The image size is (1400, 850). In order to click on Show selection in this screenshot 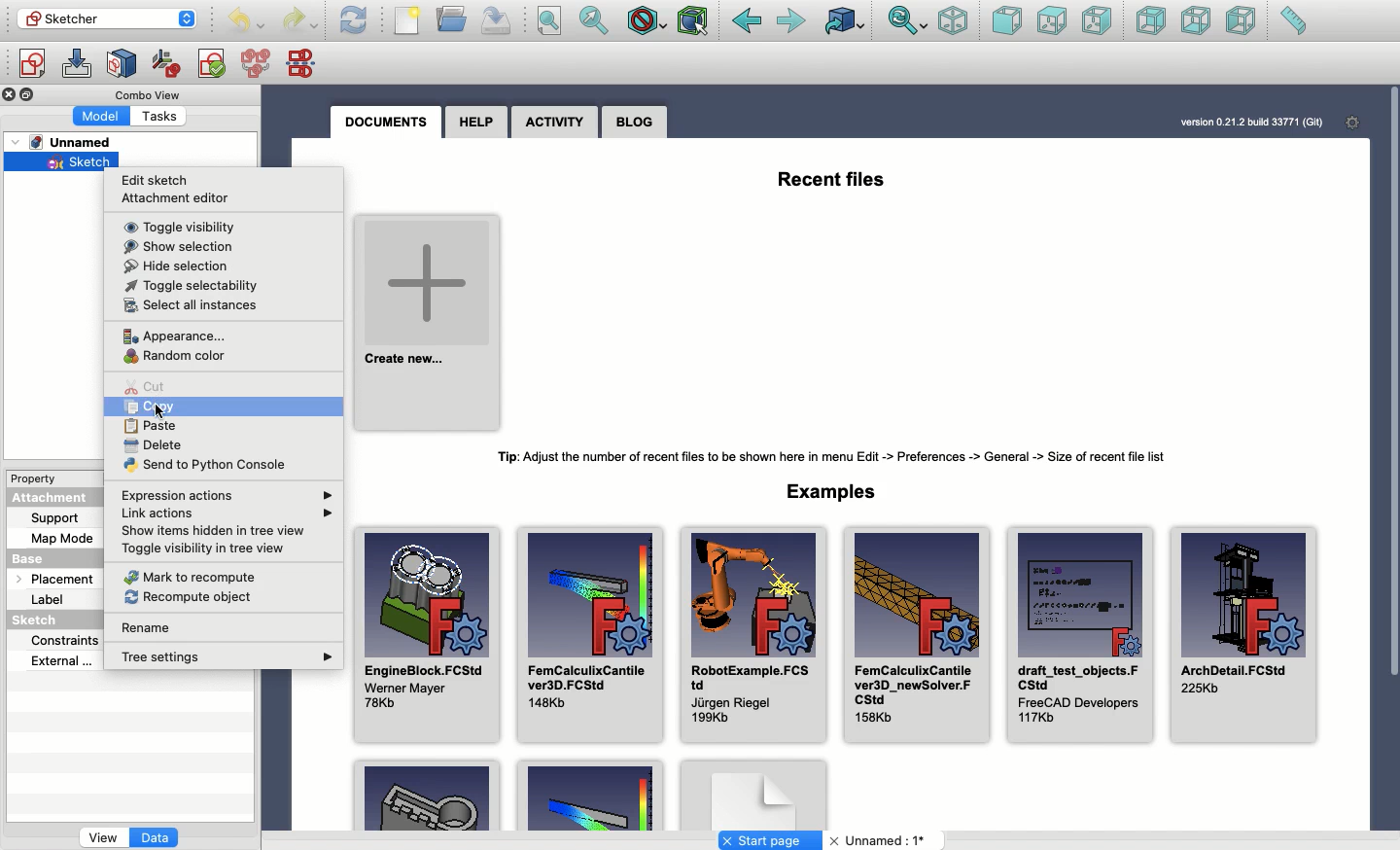, I will do `click(179, 247)`.